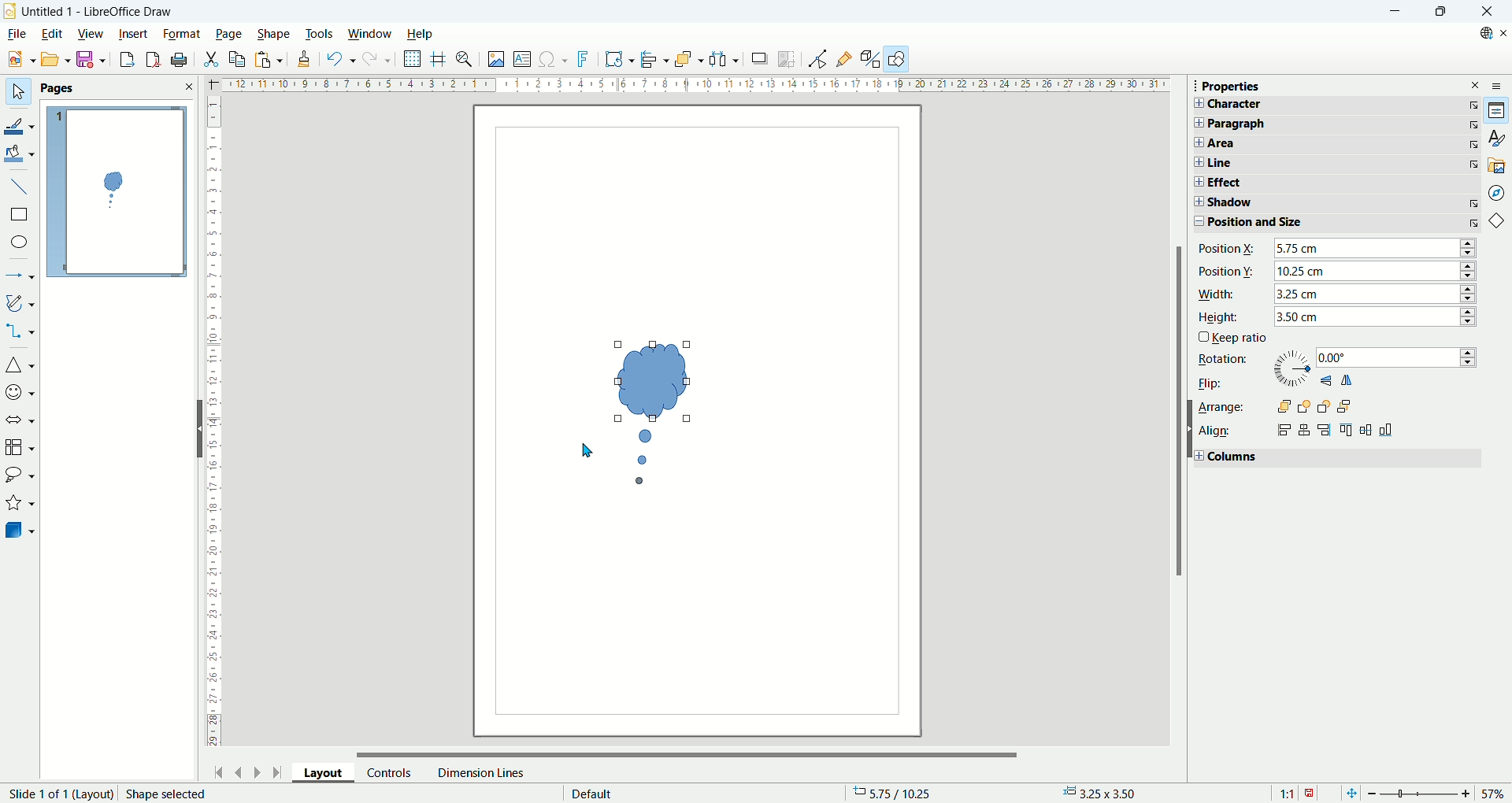 The image size is (1512, 803). I want to click on Centered, so click(1306, 430).